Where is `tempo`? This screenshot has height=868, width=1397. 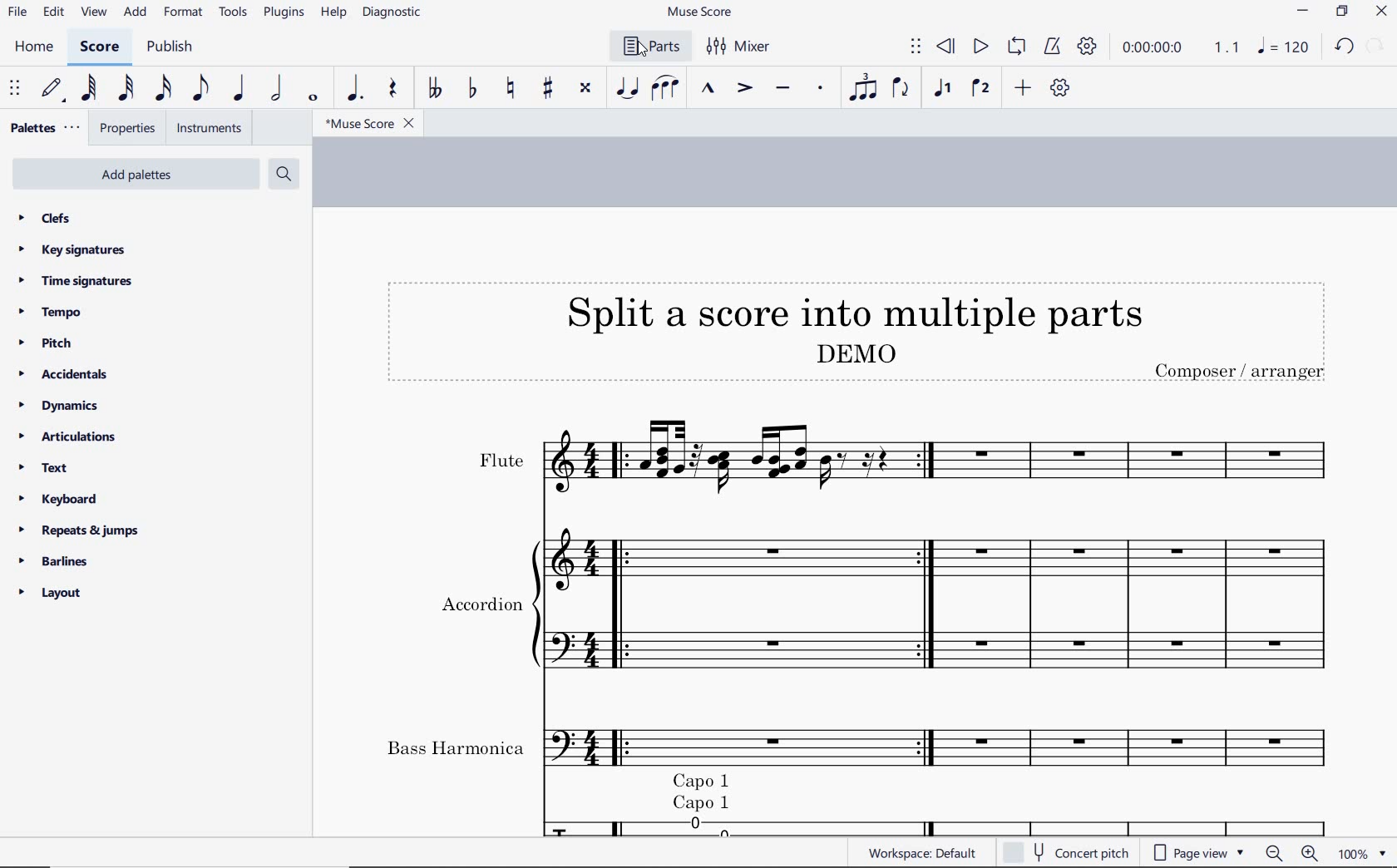
tempo is located at coordinates (50, 315).